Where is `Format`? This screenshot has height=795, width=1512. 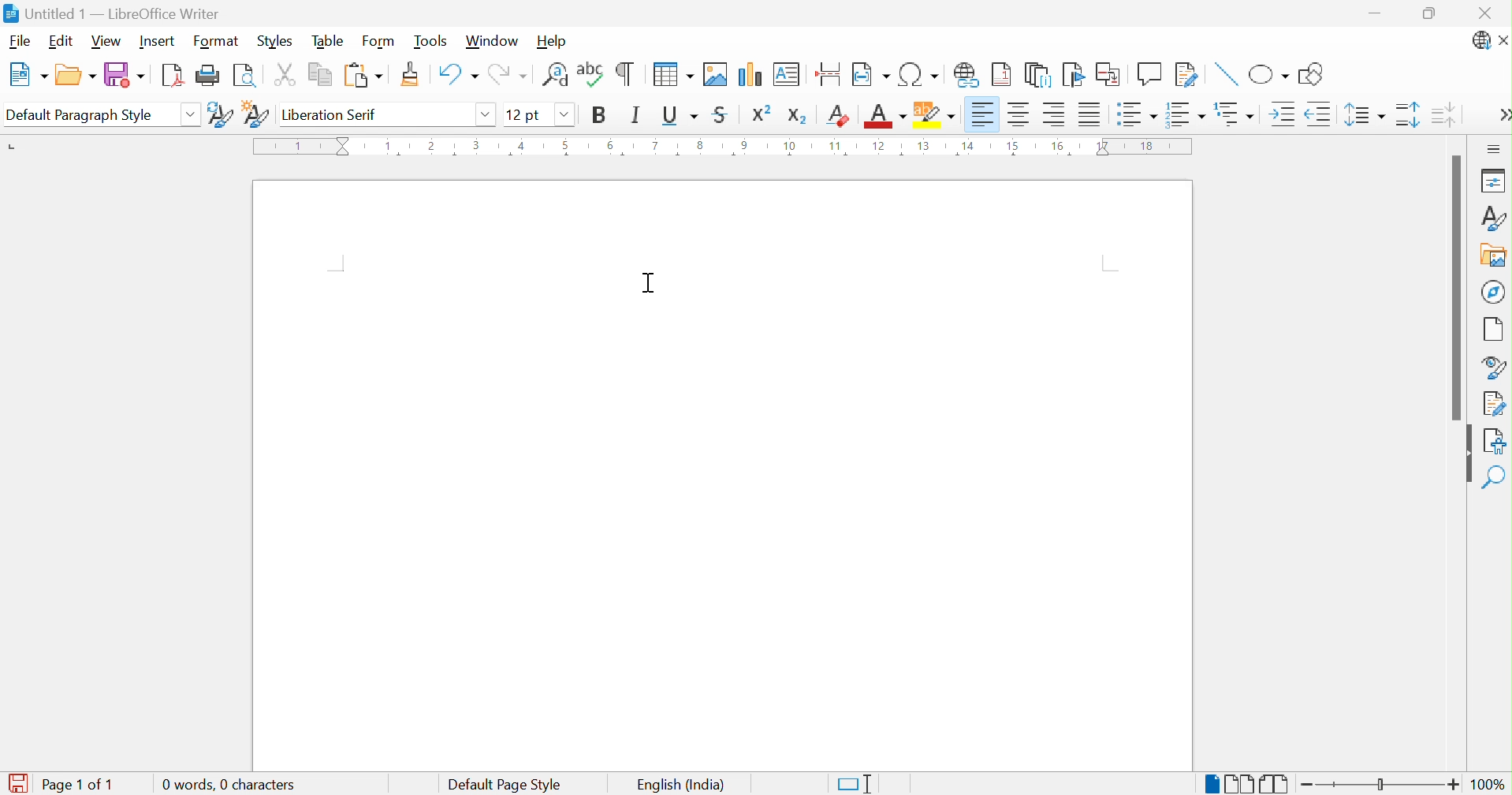 Format is located at coordinates (214, 42).